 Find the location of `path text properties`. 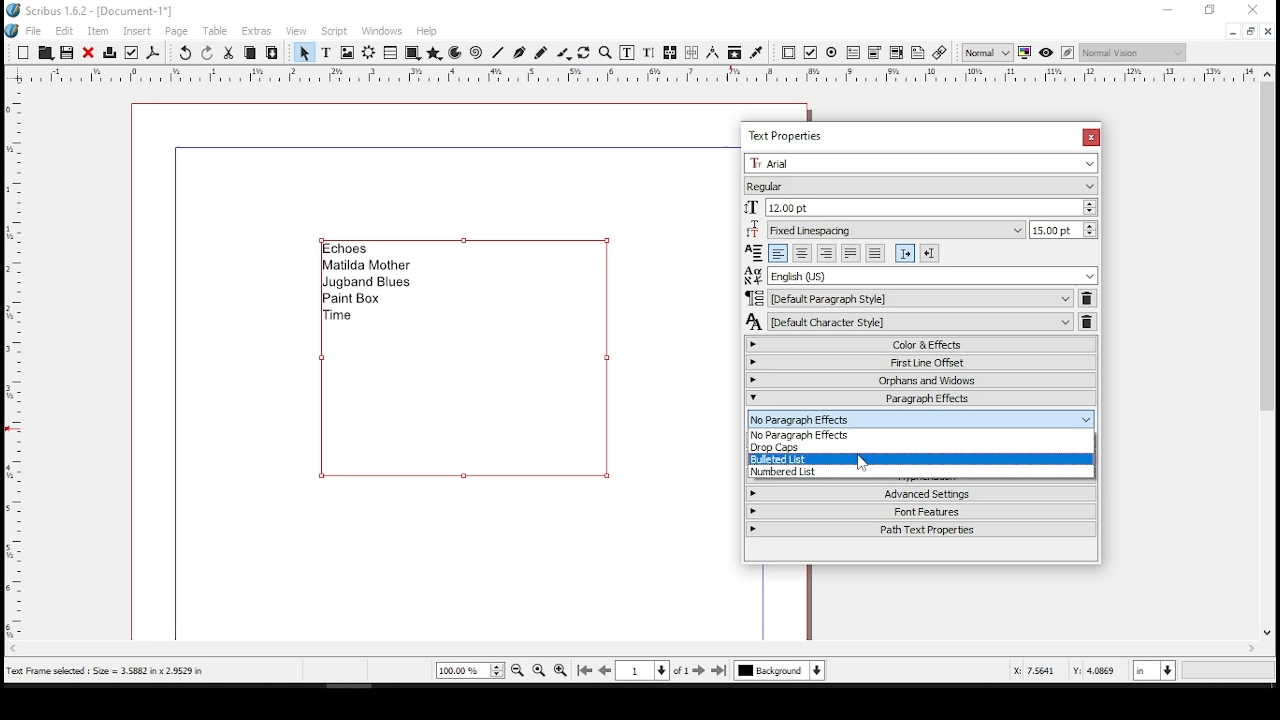

path text properties is located at coordinates (920, 534).